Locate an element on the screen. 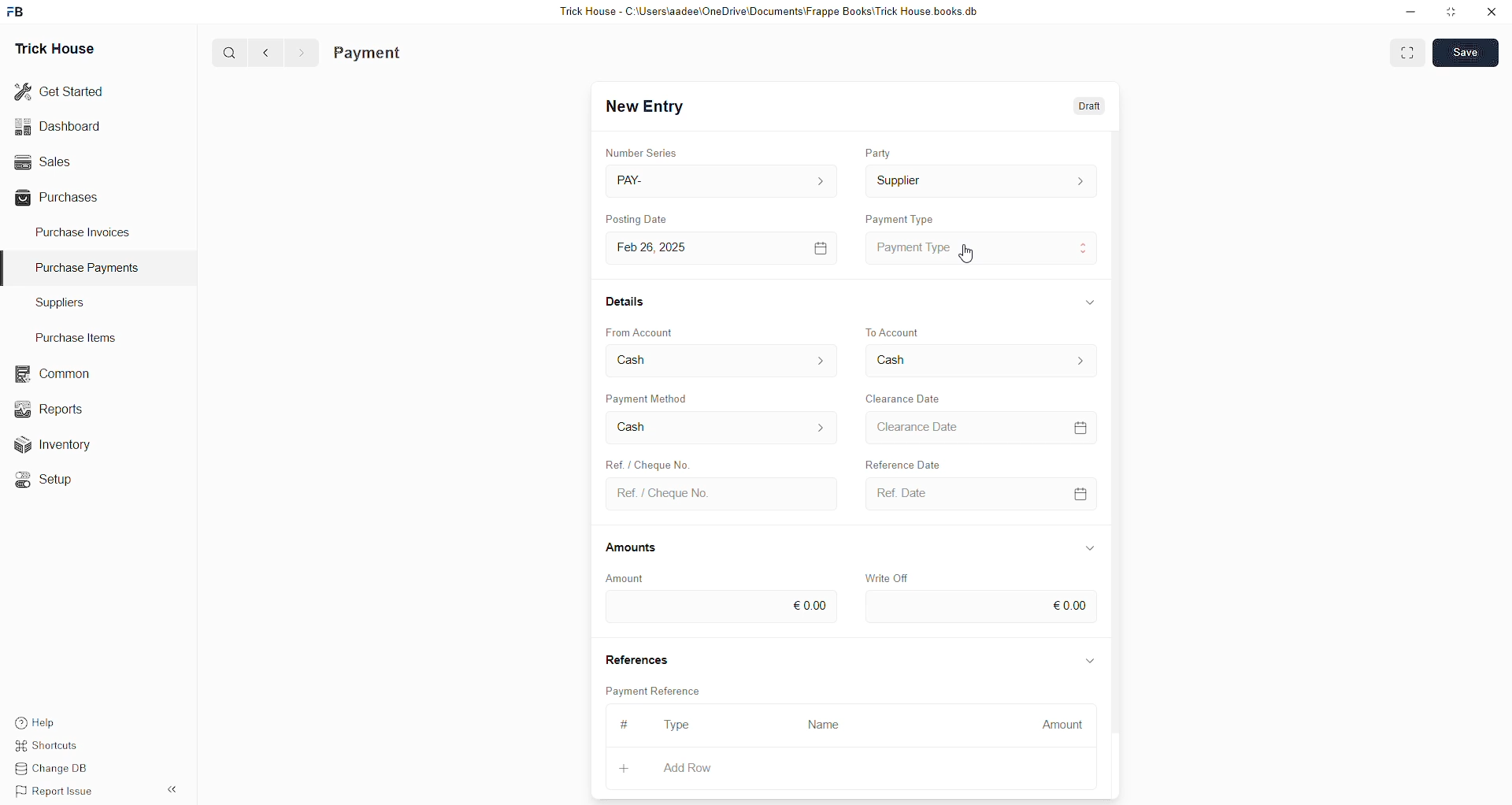  Ref. Date is located at coordinates (976, 493).